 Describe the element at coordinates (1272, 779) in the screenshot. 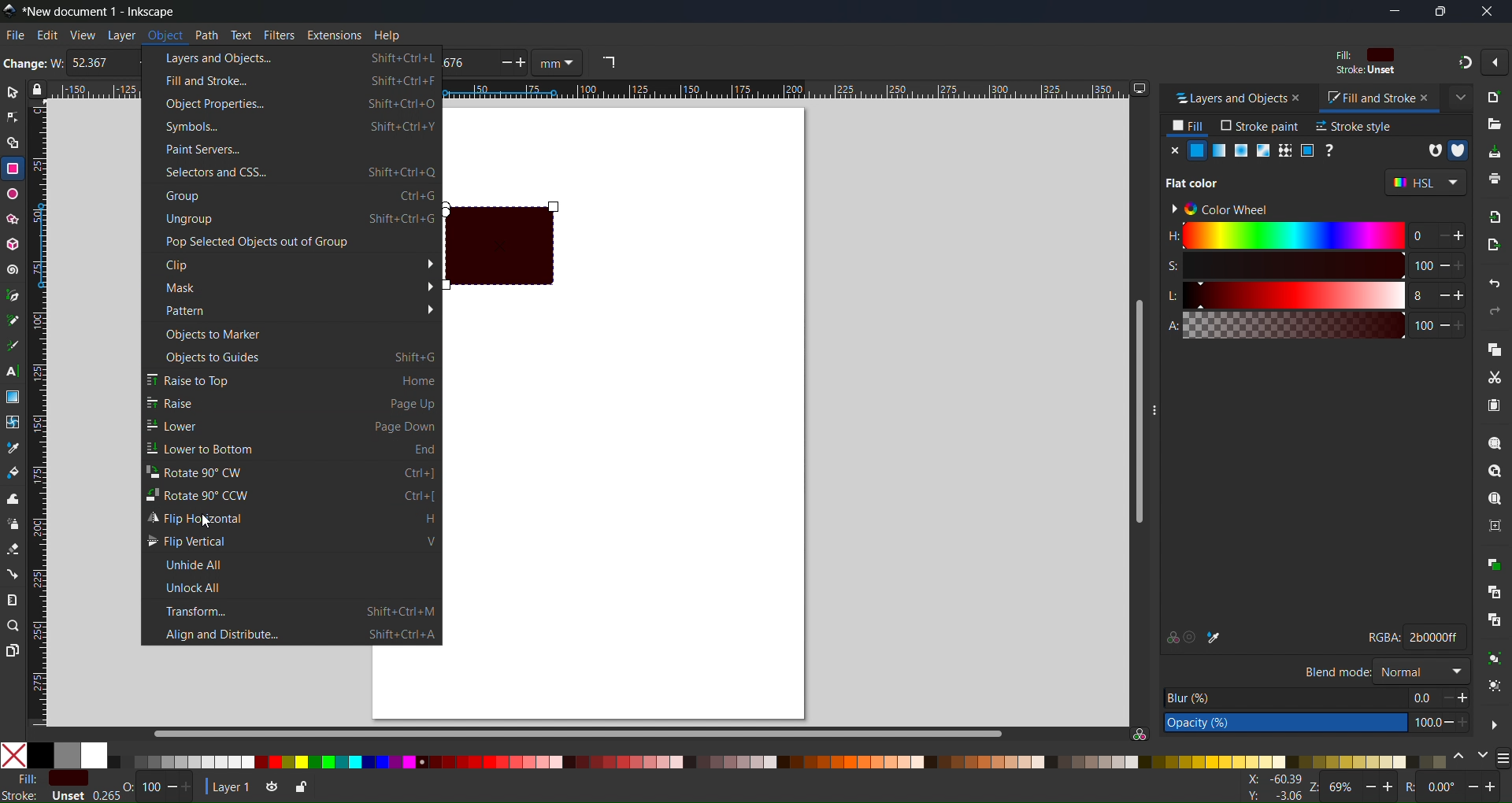

I see `X: -60.39` at that location.